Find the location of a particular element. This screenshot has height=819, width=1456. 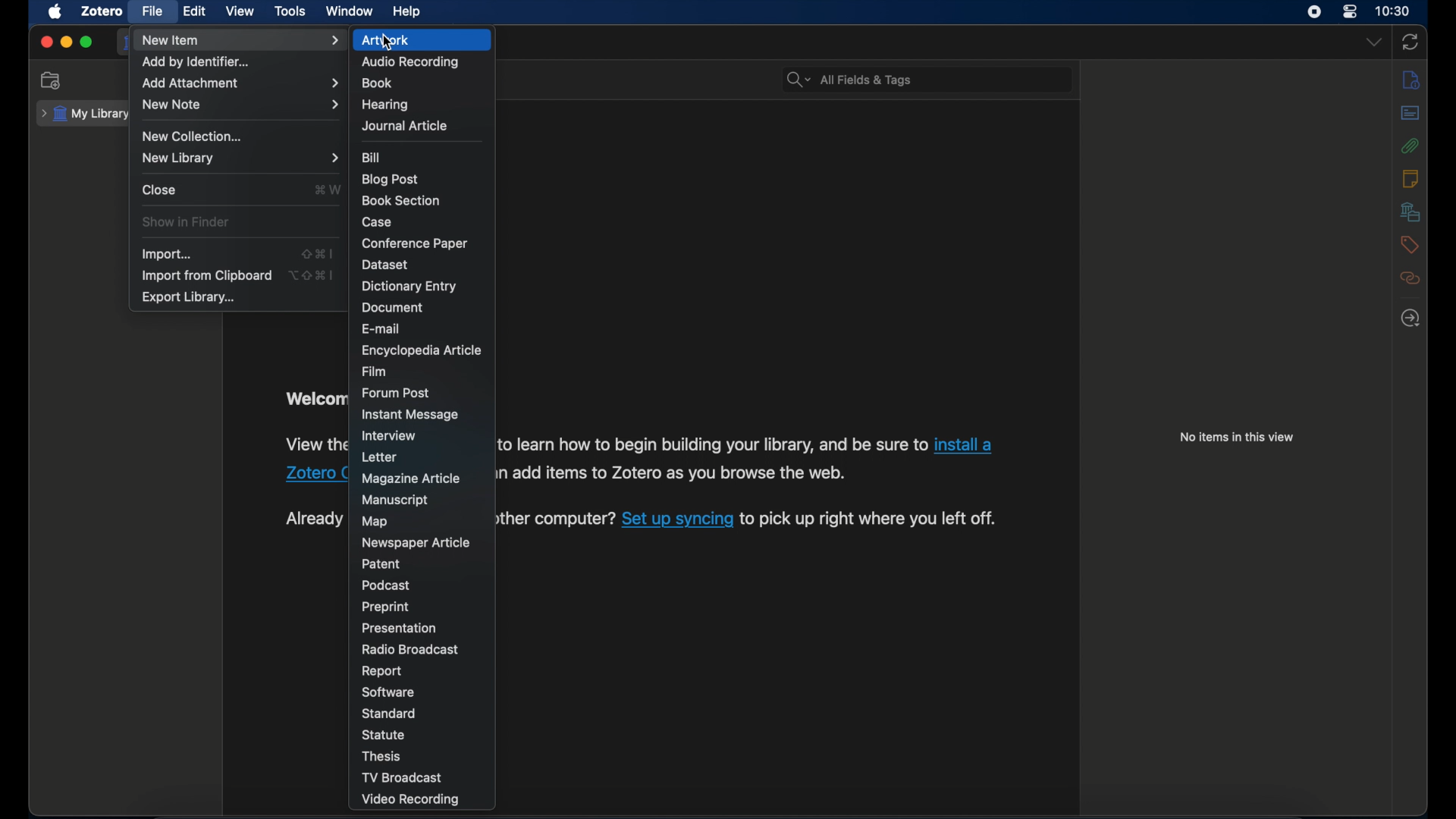

notes is located at coordinates (1412, 79).